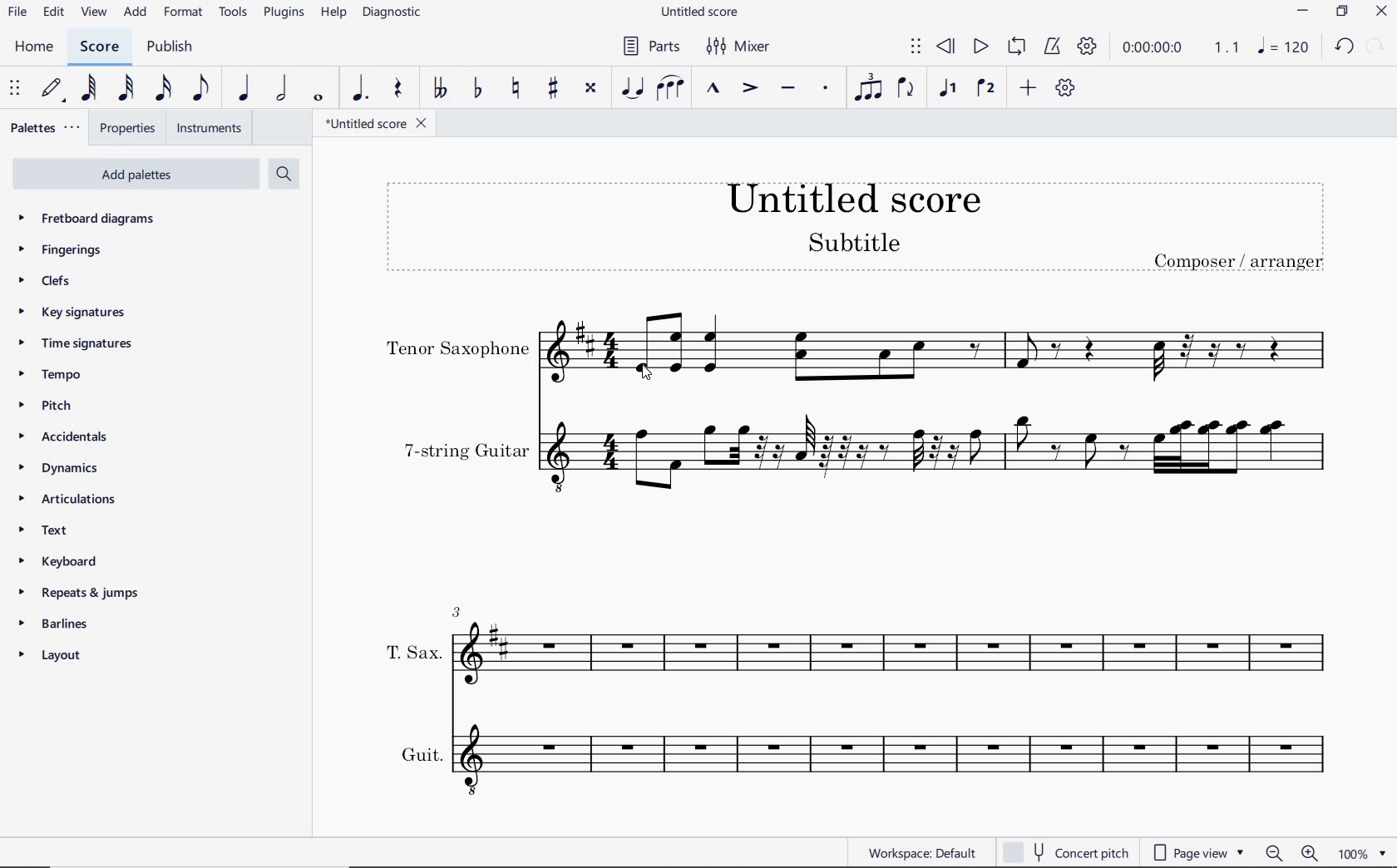  What do you see at coordinates (439, 90) in the screenshot?
I see `TOGGLE-DOUBLE FLAT` at bounding box center [439, 90].